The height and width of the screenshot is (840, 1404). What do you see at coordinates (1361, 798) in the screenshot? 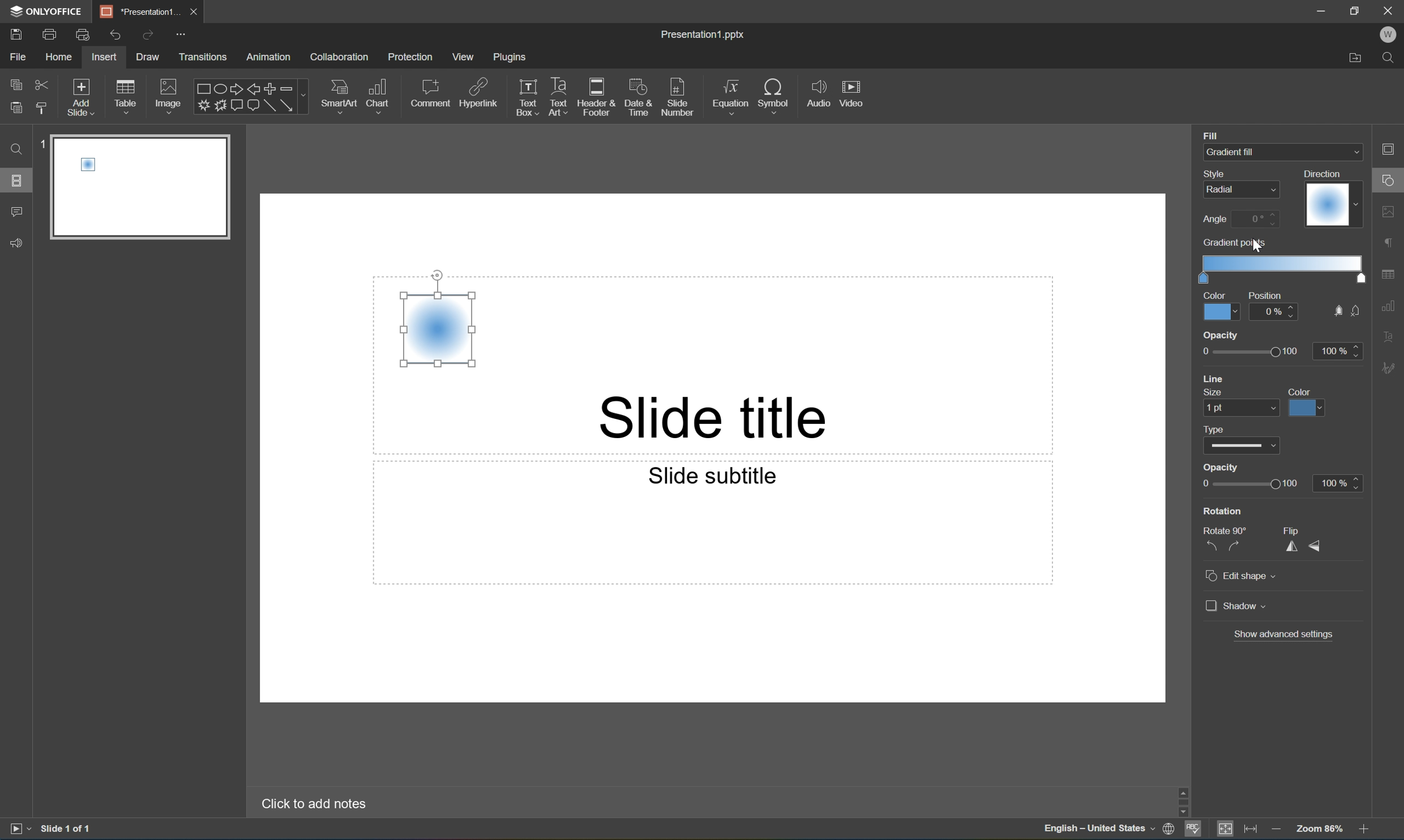
I see `Scroll Bar` at bounding box center [1361, 798].